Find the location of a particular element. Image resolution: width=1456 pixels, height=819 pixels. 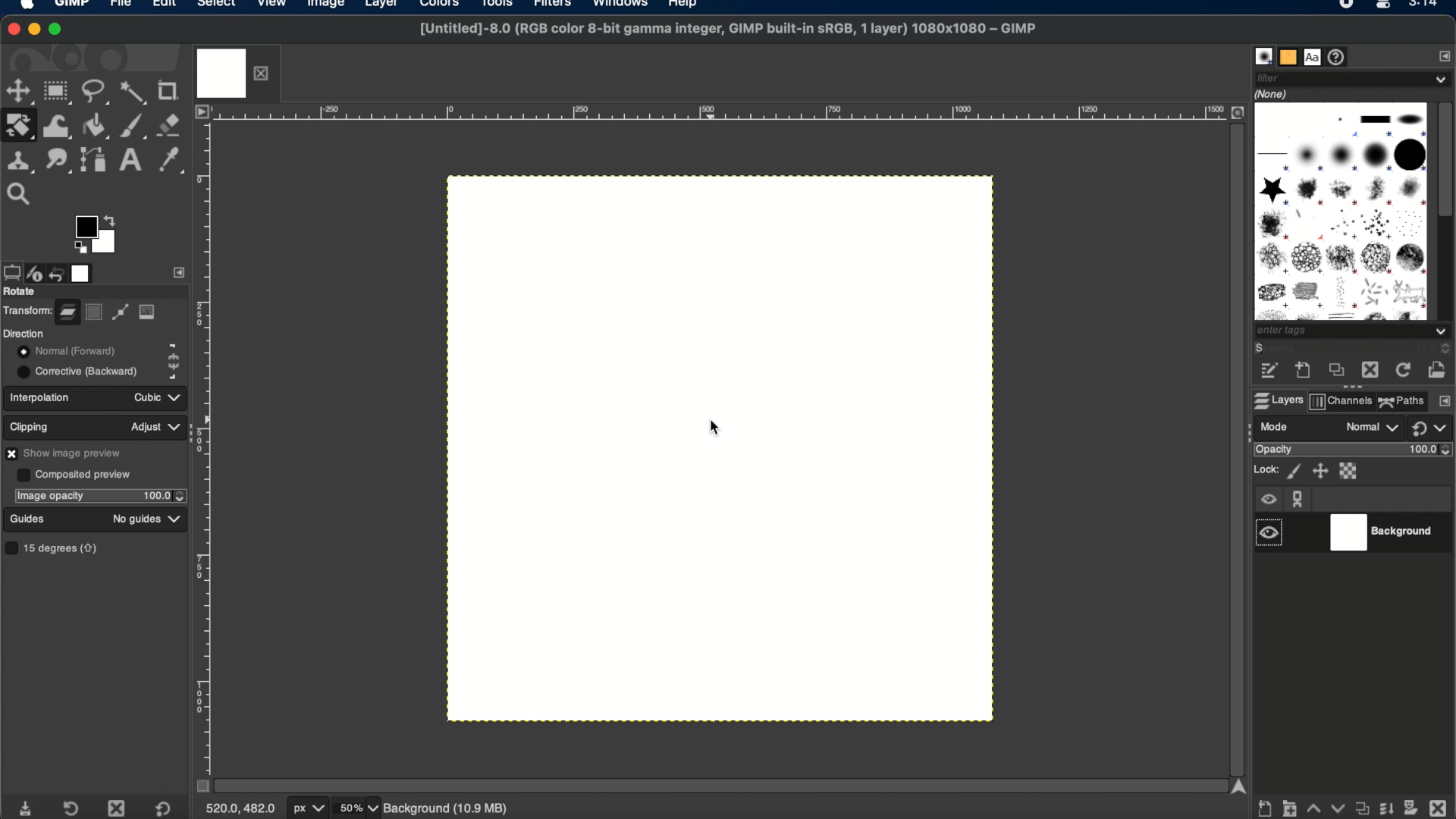

background is located at coordinates (1386, 533).